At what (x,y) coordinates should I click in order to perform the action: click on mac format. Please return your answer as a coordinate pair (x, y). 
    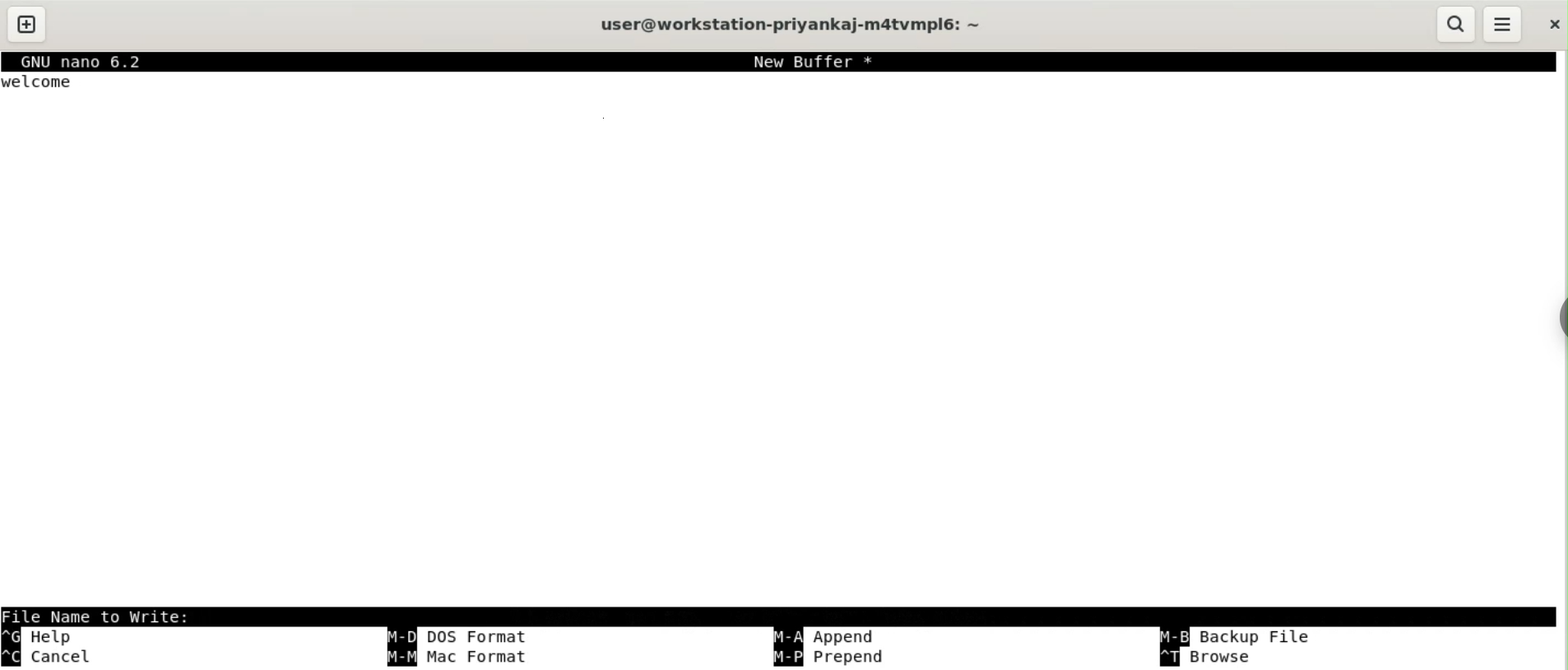
    Looking at the image, I should click on (462, 657).